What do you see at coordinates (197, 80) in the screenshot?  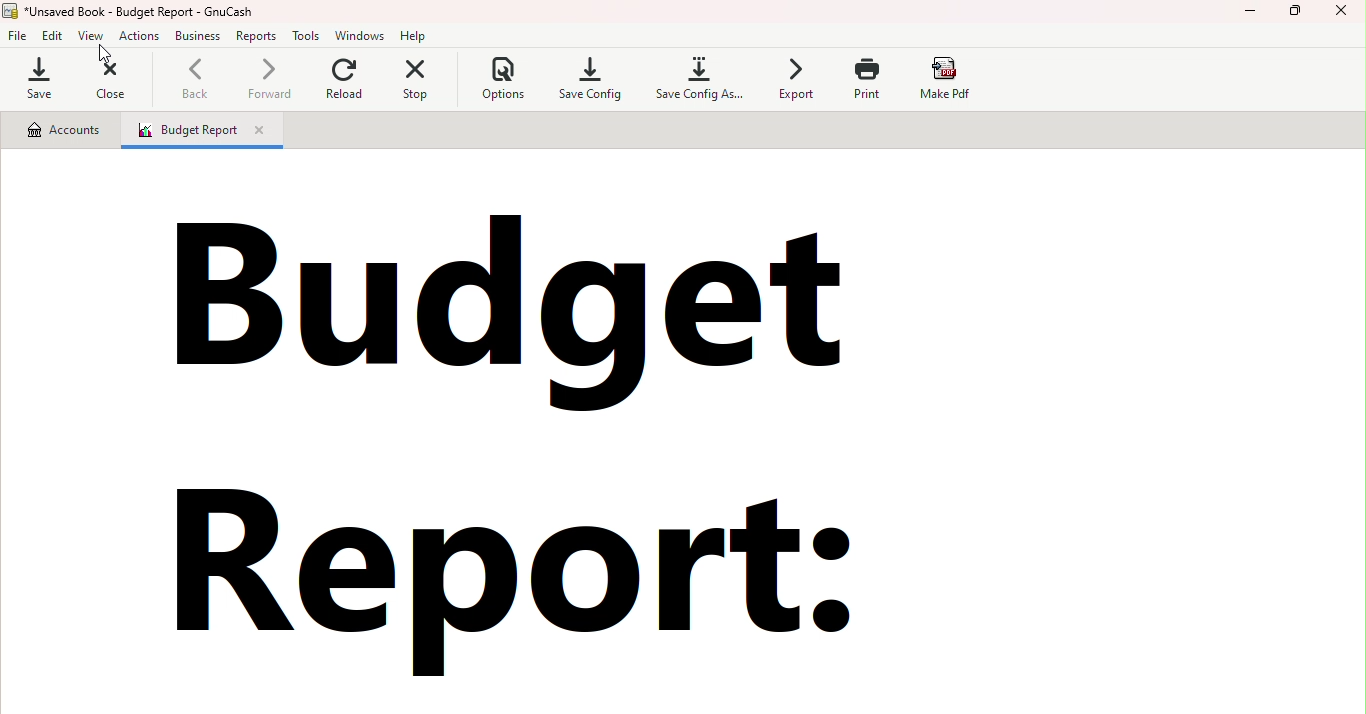 I see `Back` at bounding box center [197, 80].